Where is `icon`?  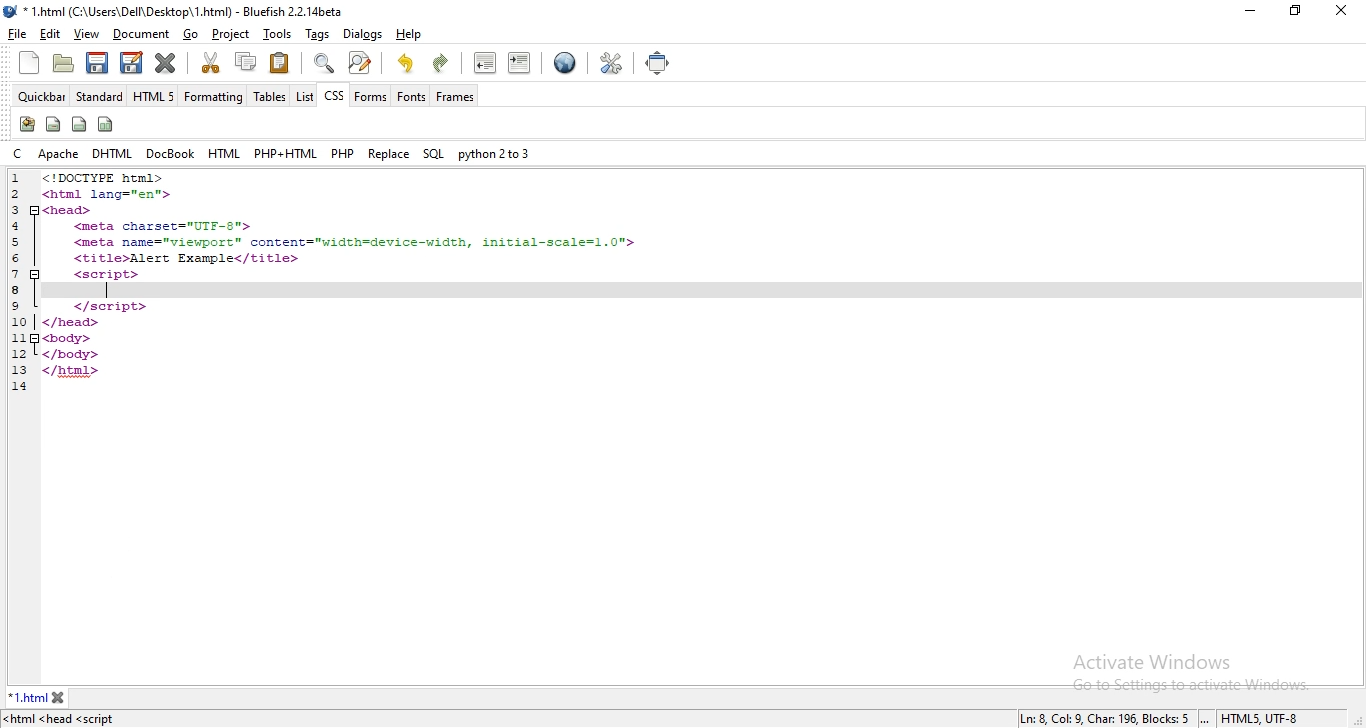 icon is located at coordinates (108, 123).